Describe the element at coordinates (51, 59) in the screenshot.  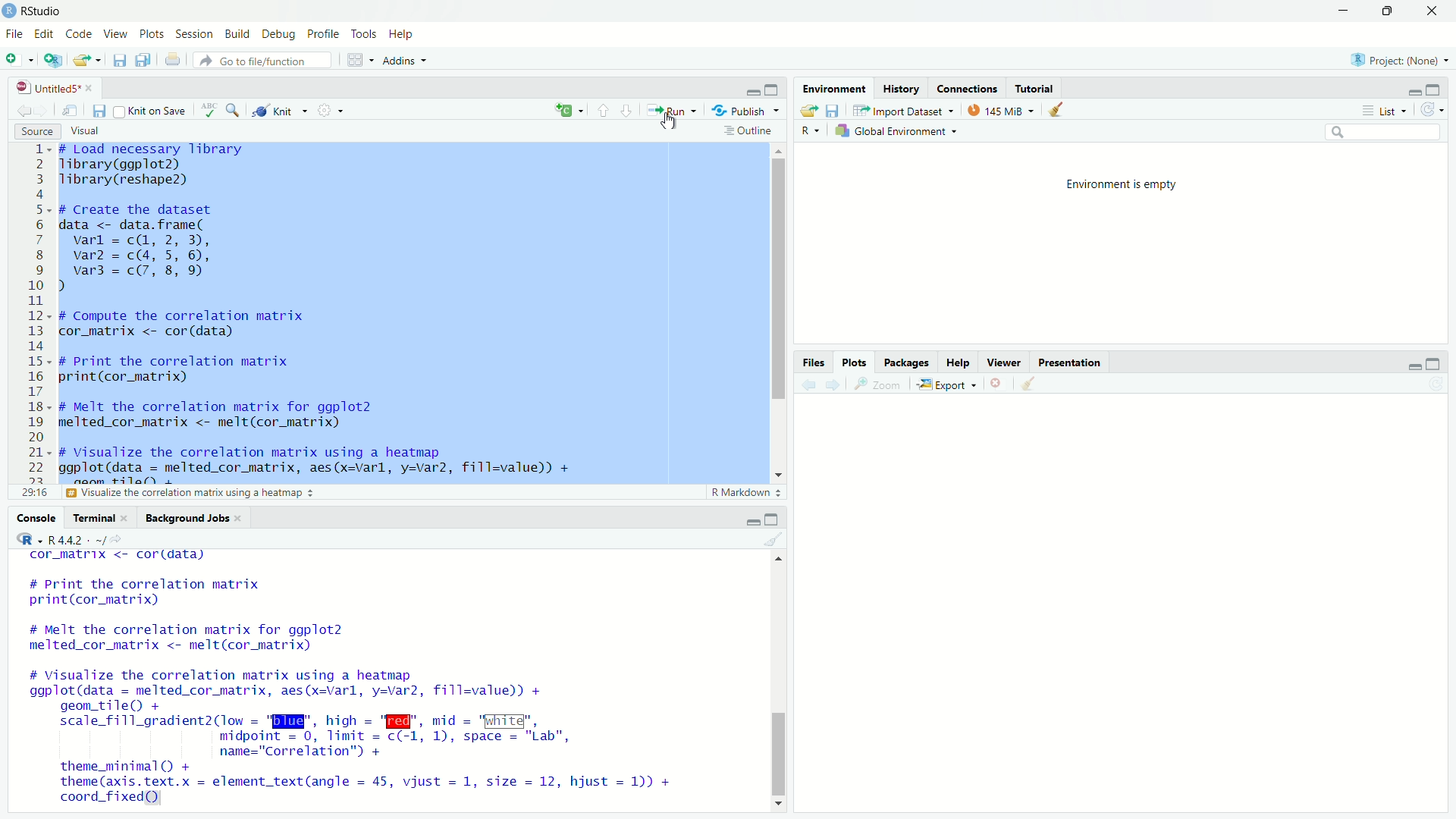
I see `create new project` at that location.